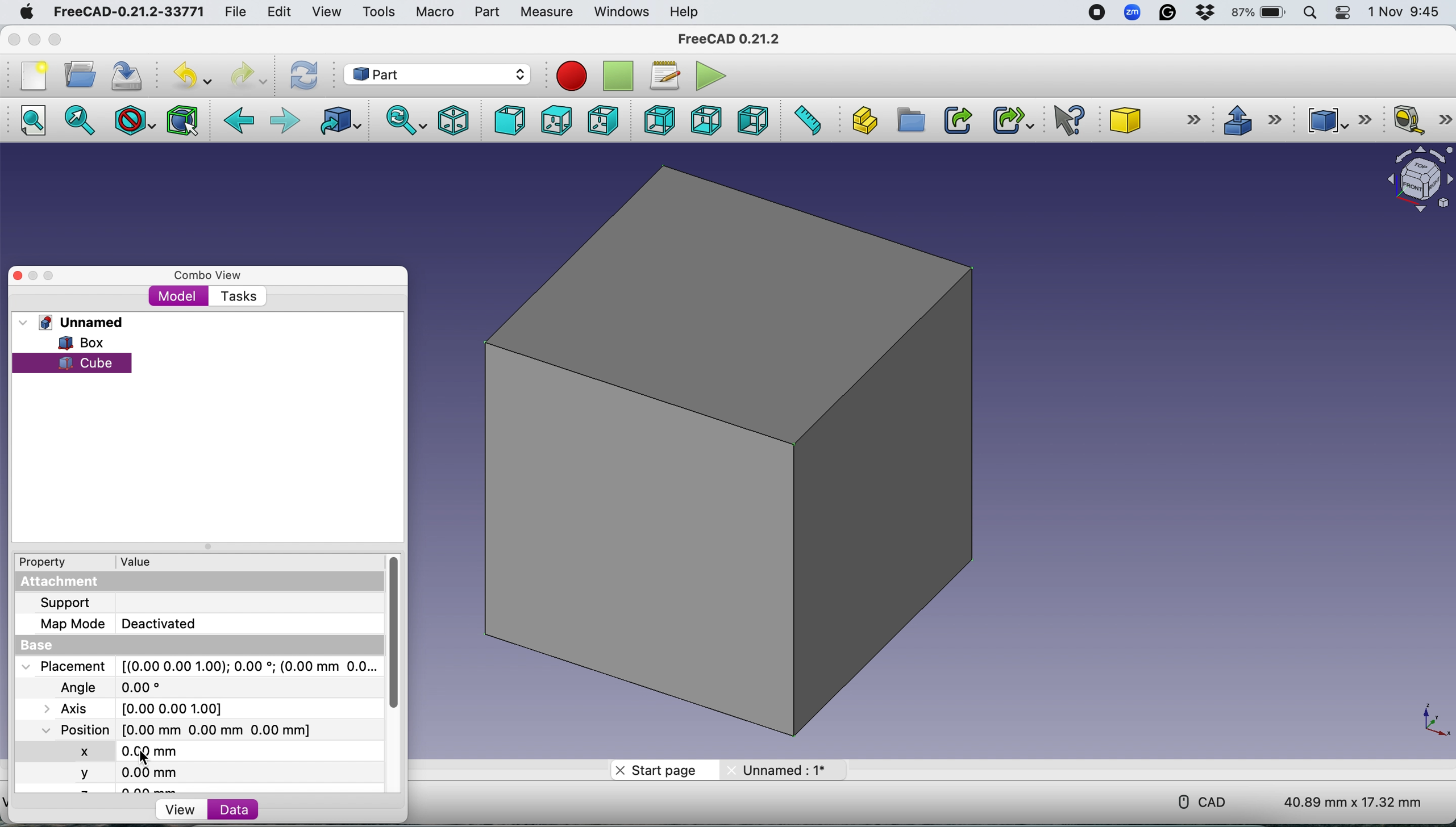 Image resolution: width=1456 pixels, height=827 pixels. I want to click on Maximise, so click(51, 276).